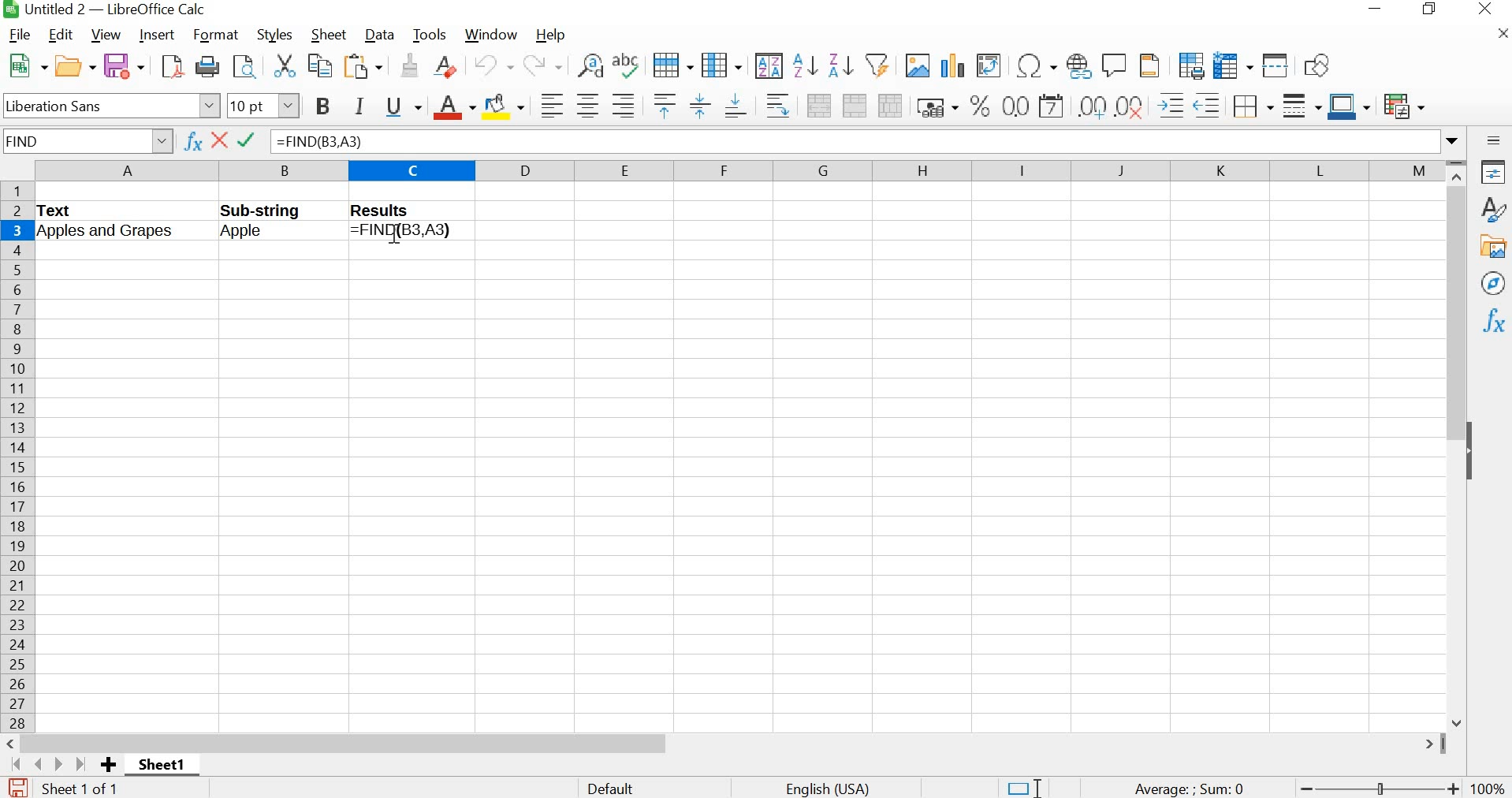 Image resolution: width=1512 pixels, height=798 pixels. What do you see at coordinates (1034, 67) in the screenshot?
I see `insert special characters` at bounding box center [1034, 67].